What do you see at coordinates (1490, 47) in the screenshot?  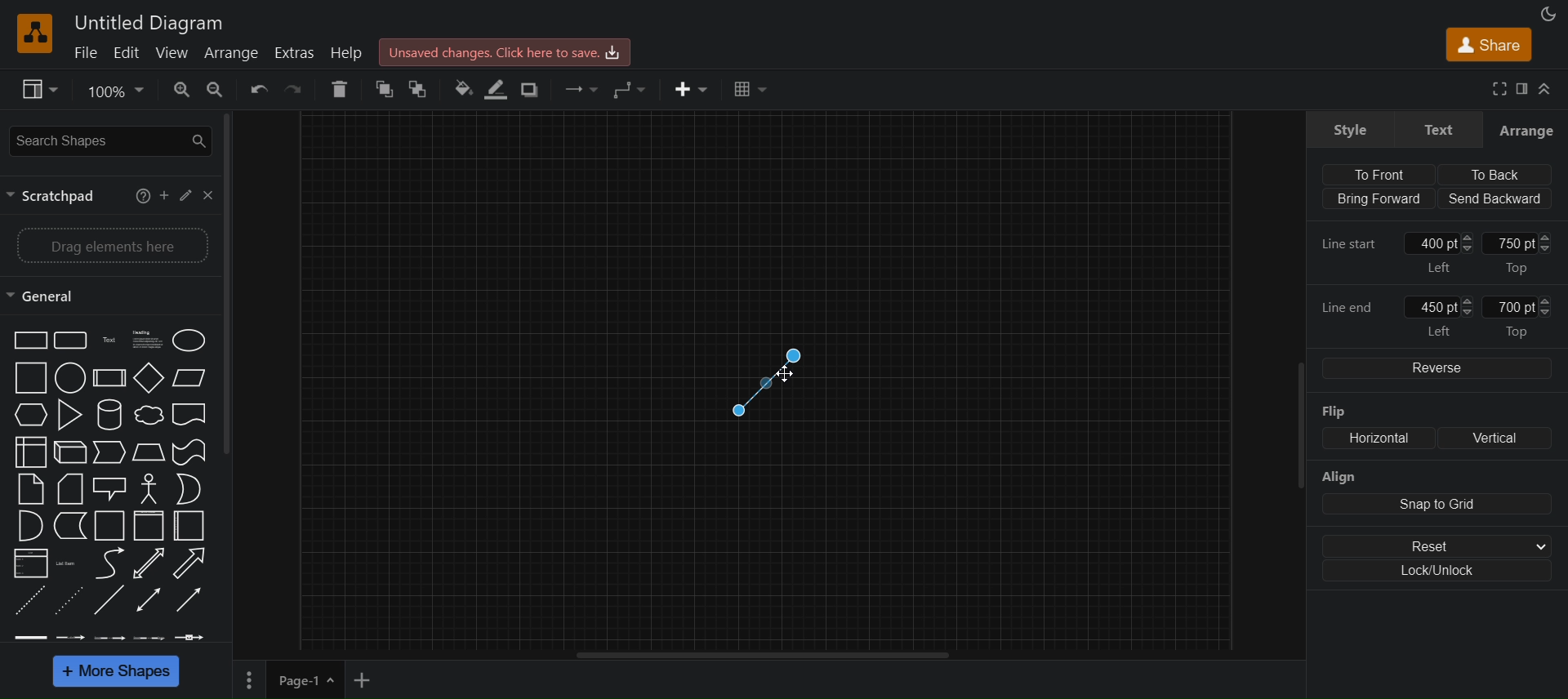 I see `share` at bounding box center [1490, 47].